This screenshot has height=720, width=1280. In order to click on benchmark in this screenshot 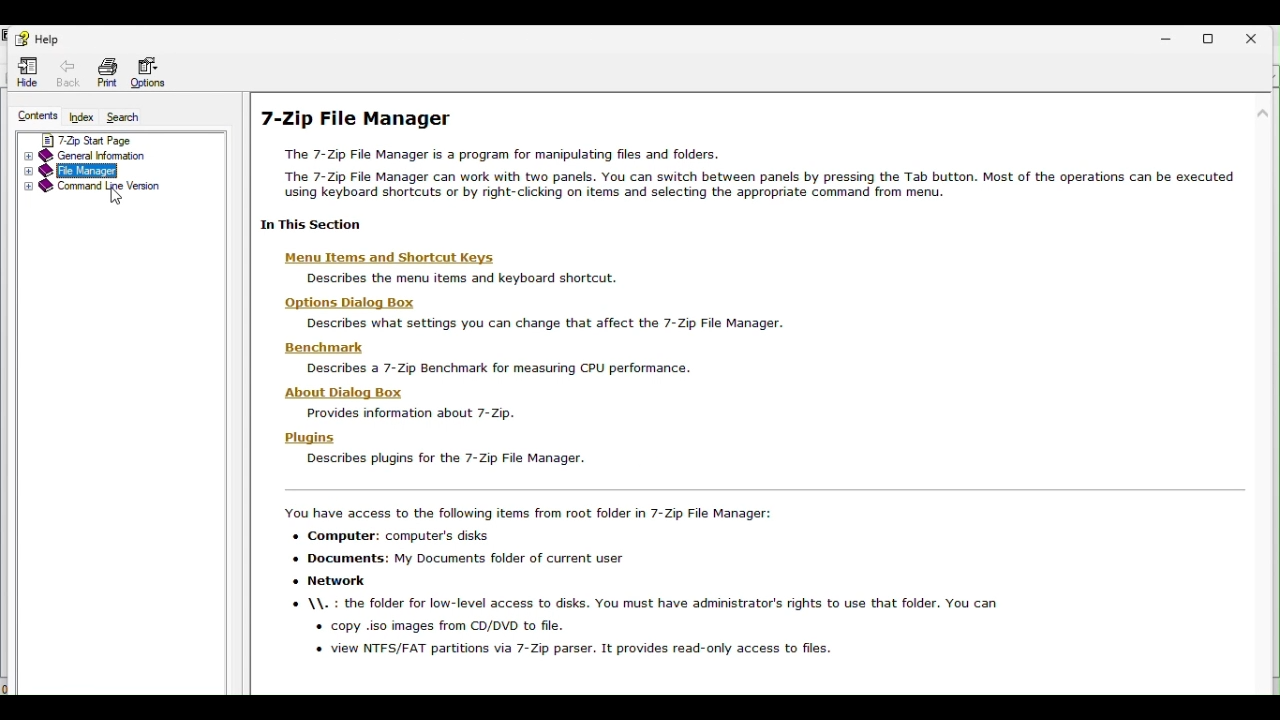, I will do `click(333, 348)`.